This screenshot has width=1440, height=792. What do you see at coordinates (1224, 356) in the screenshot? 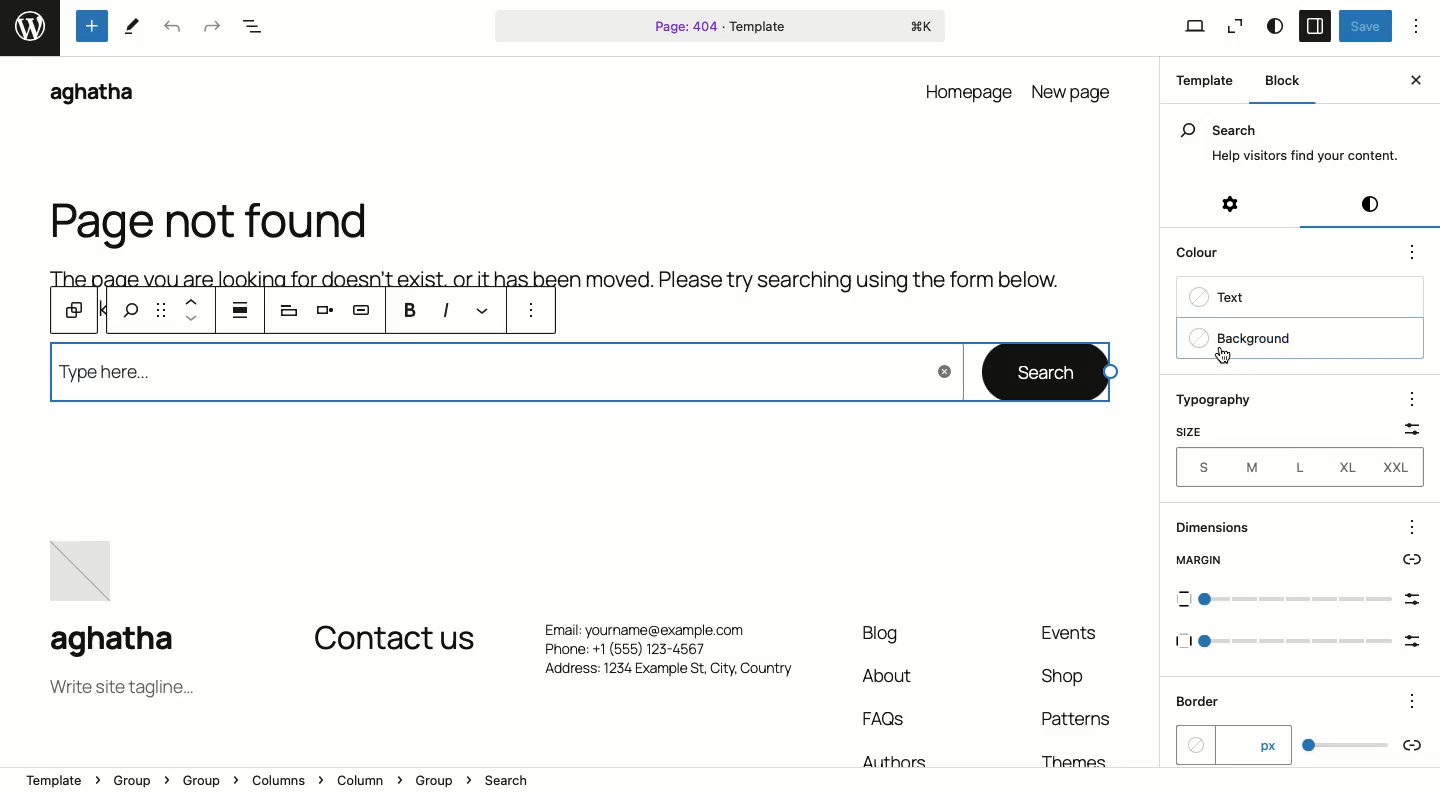
I see `cursor` at bounding box center [1224, 356].